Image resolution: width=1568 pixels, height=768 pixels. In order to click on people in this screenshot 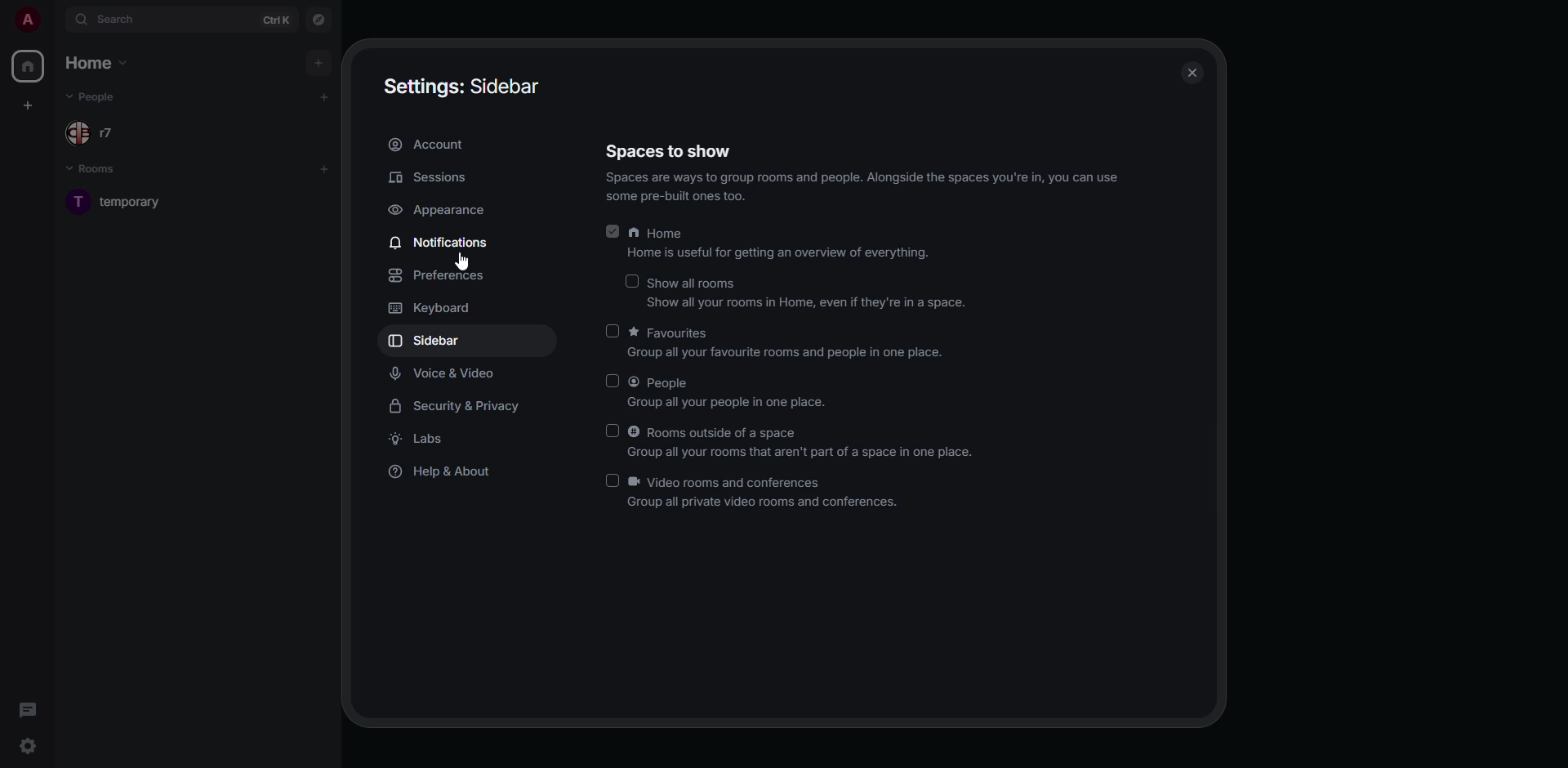, I will do `click(95, 131)`.